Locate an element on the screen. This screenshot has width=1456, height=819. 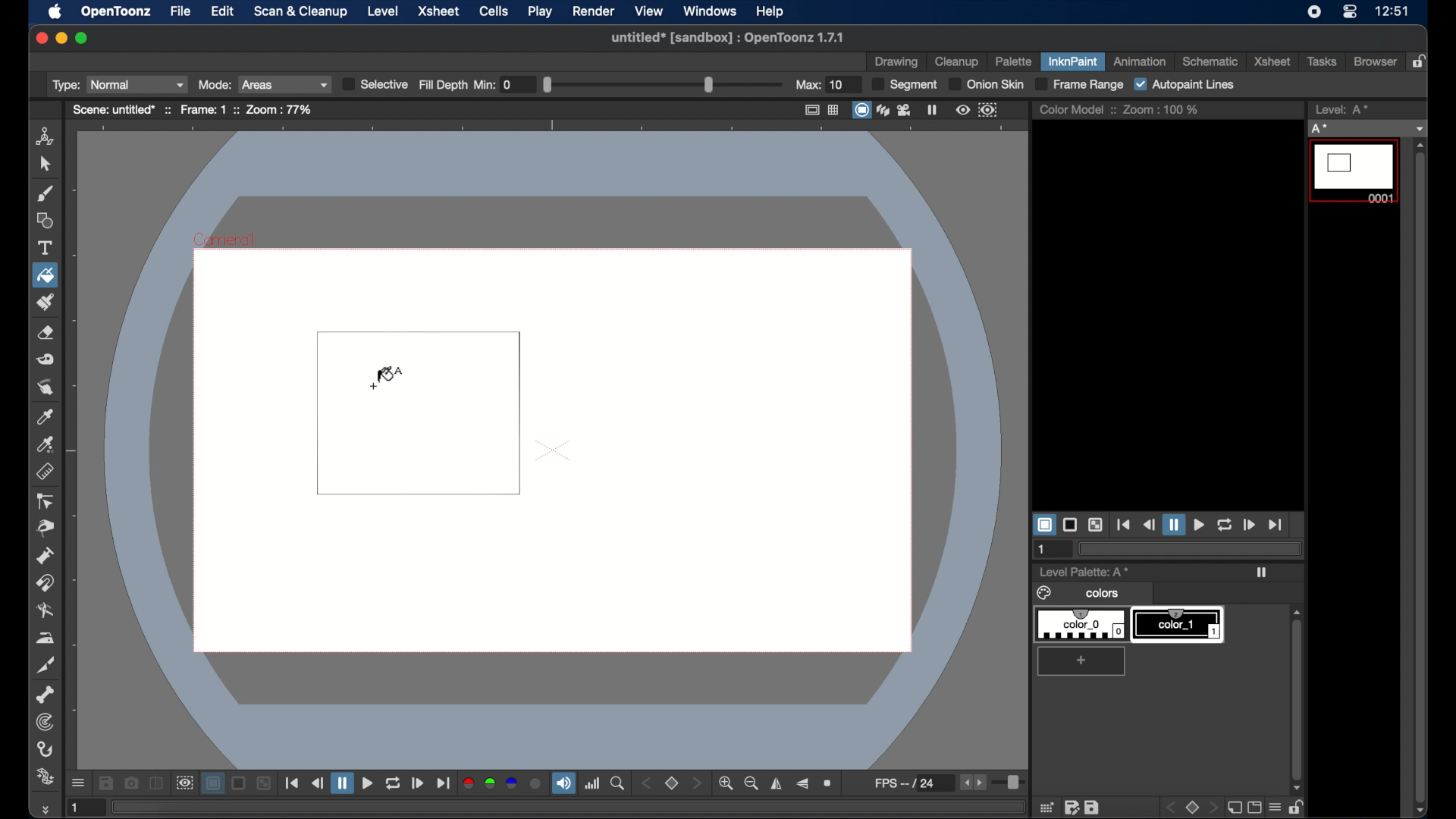
blue channel is located at coordinates (511, 783).